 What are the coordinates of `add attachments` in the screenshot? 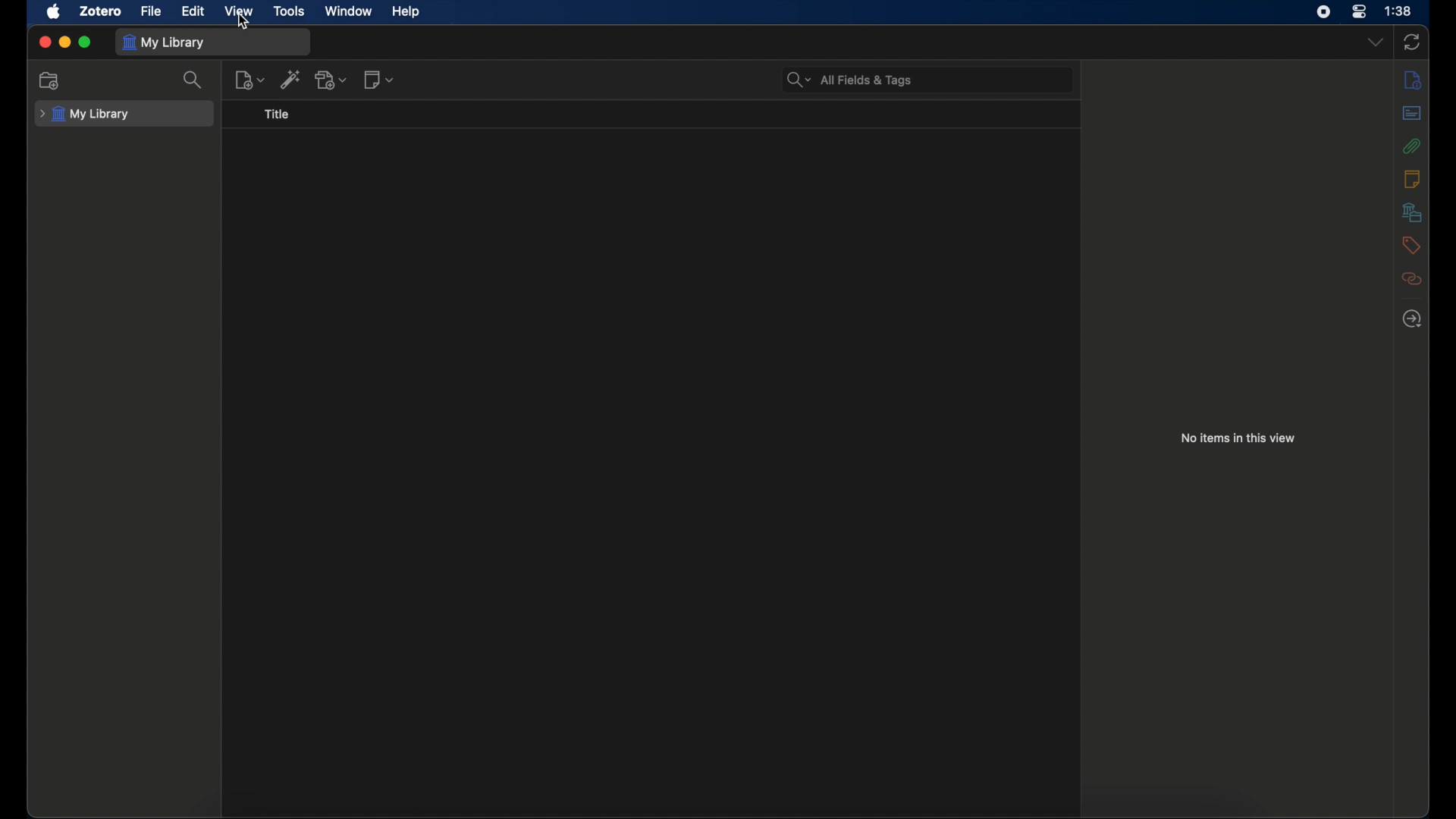 It's located at (334, 80).